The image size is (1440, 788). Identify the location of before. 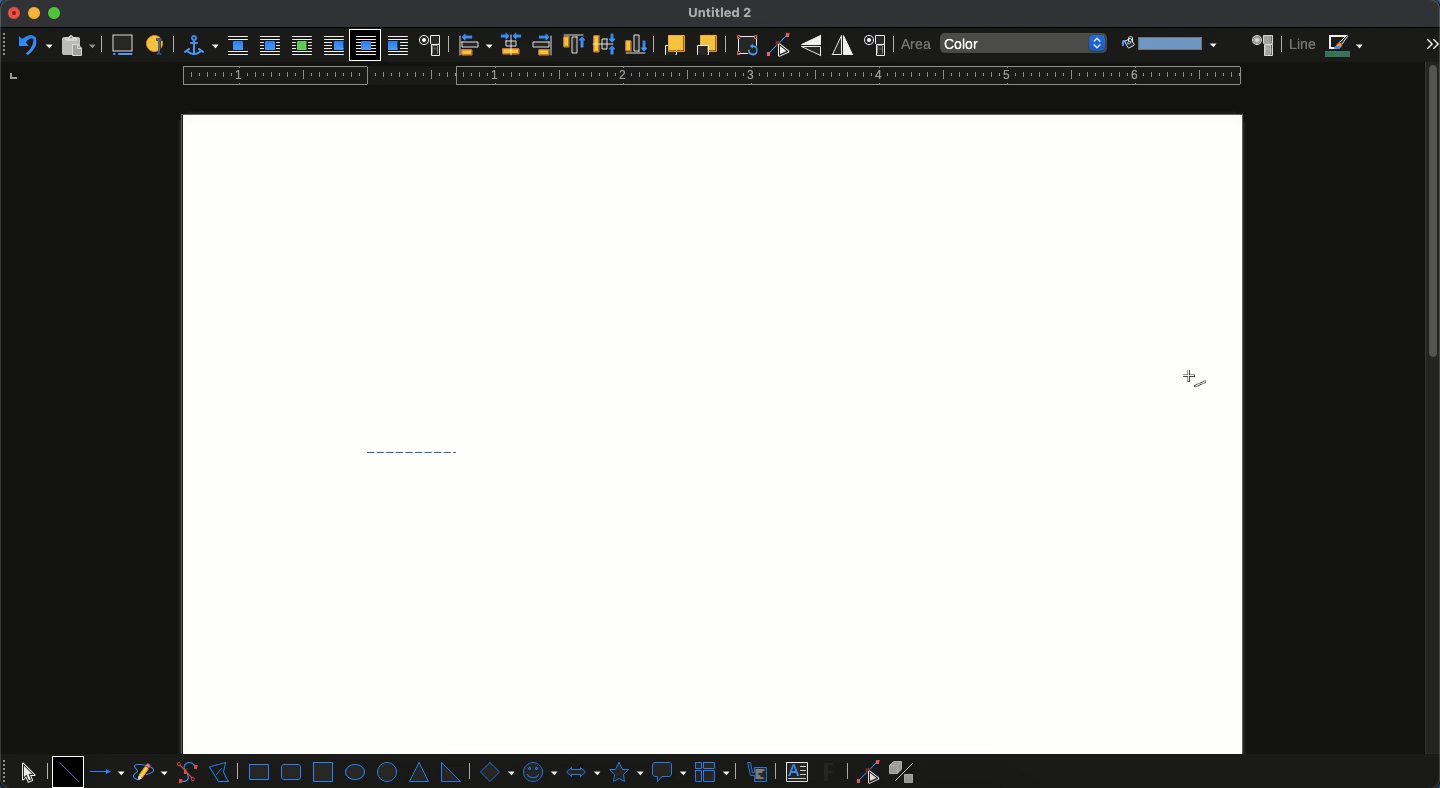
(333, 46).